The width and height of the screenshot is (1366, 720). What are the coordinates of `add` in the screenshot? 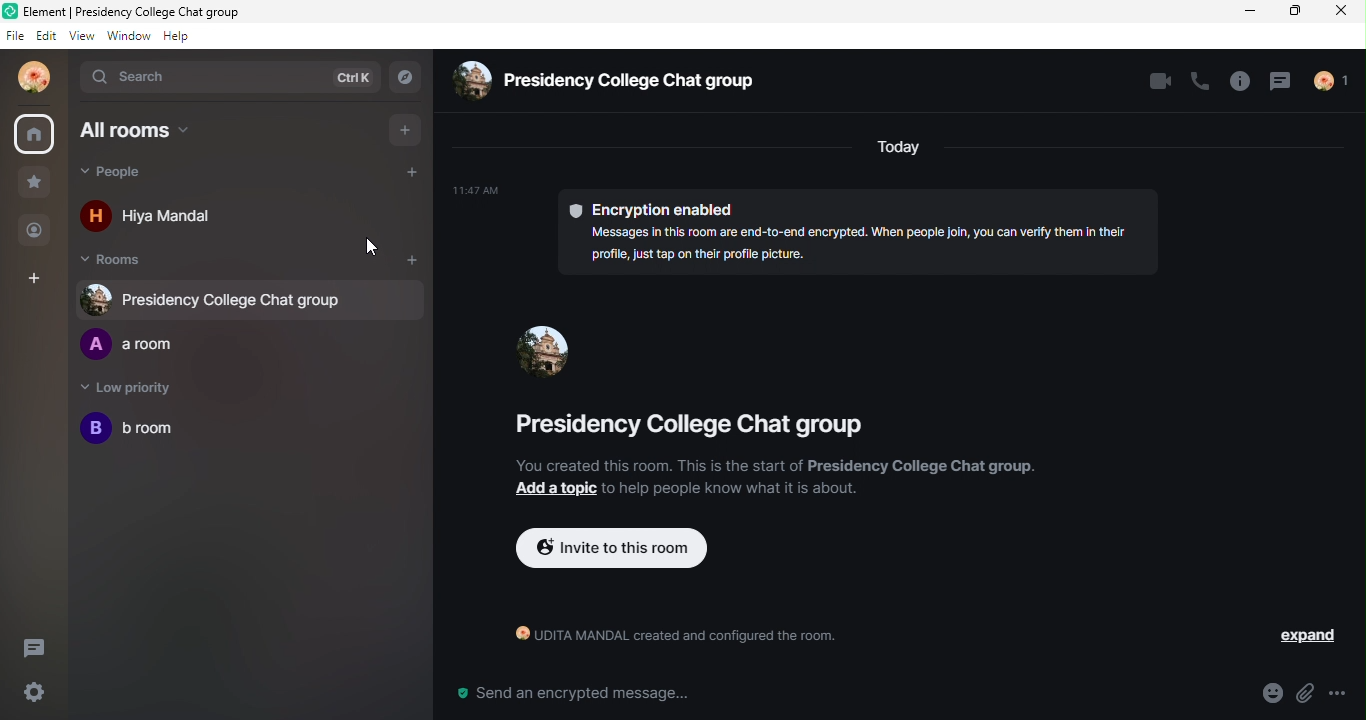 It's located at (413, 260).